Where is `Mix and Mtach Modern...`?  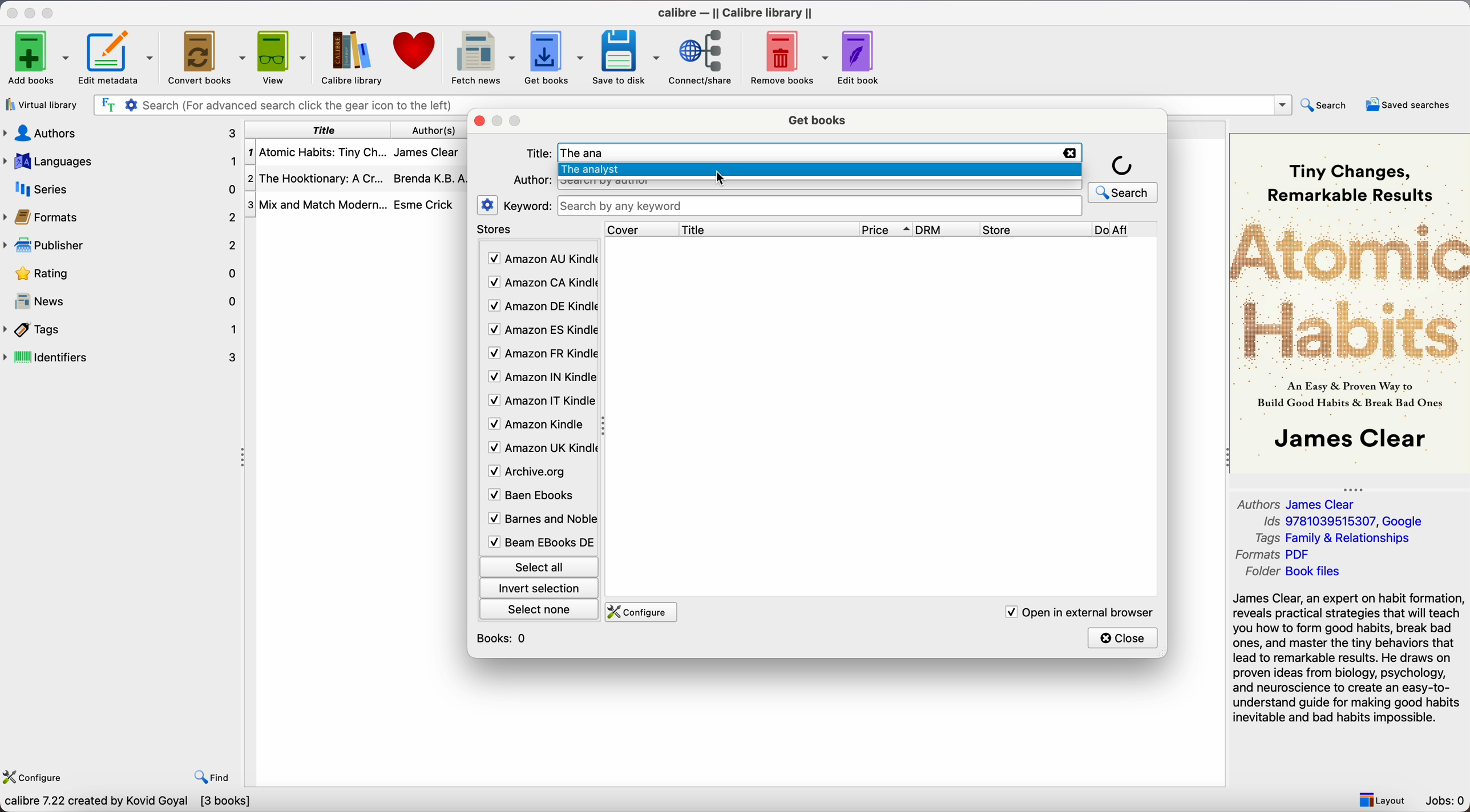
Mix and Mtach Modern... is located at coordinates (315, 204).